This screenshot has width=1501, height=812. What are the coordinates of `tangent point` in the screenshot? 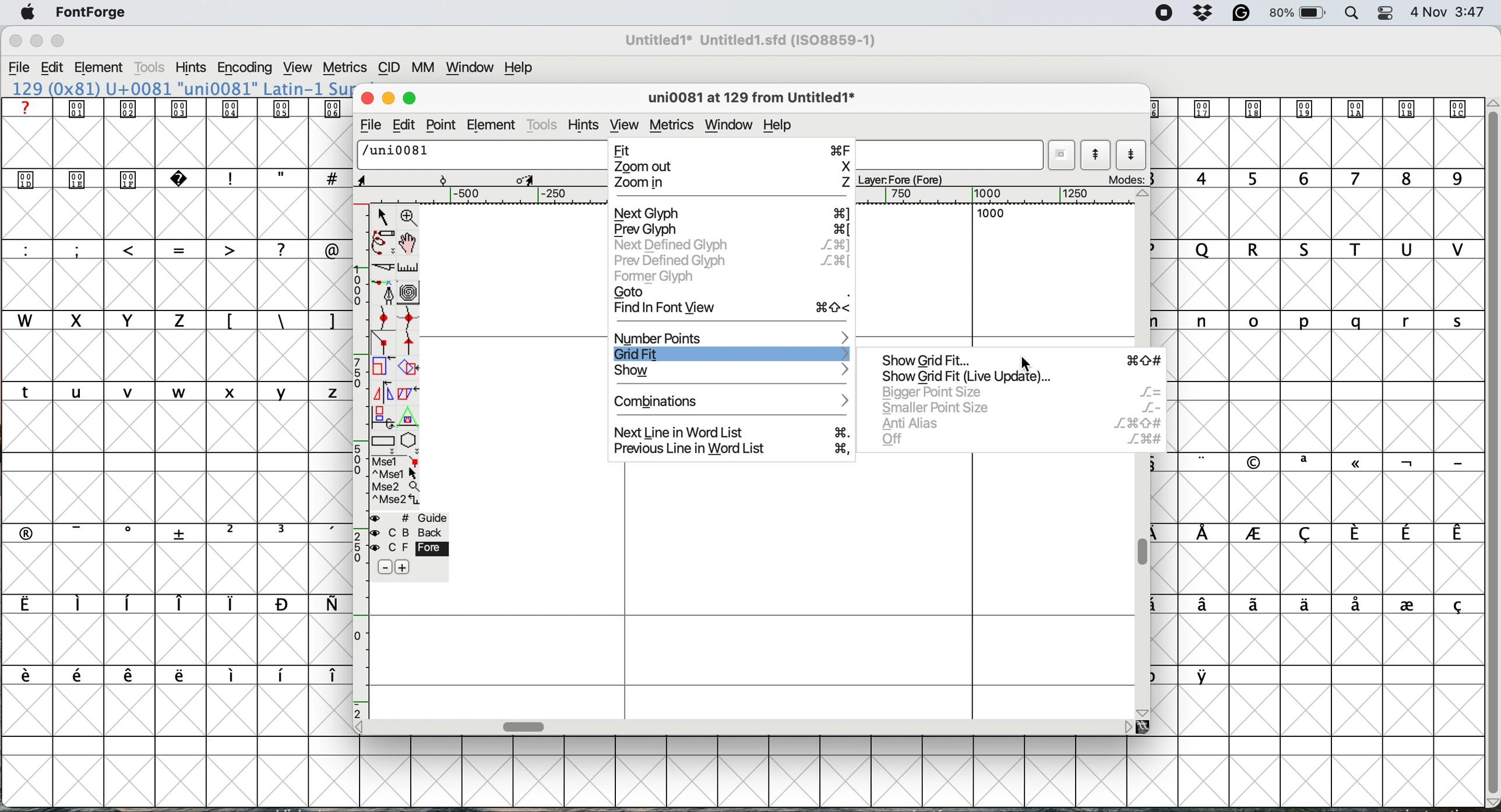 It's located at (411, 346).